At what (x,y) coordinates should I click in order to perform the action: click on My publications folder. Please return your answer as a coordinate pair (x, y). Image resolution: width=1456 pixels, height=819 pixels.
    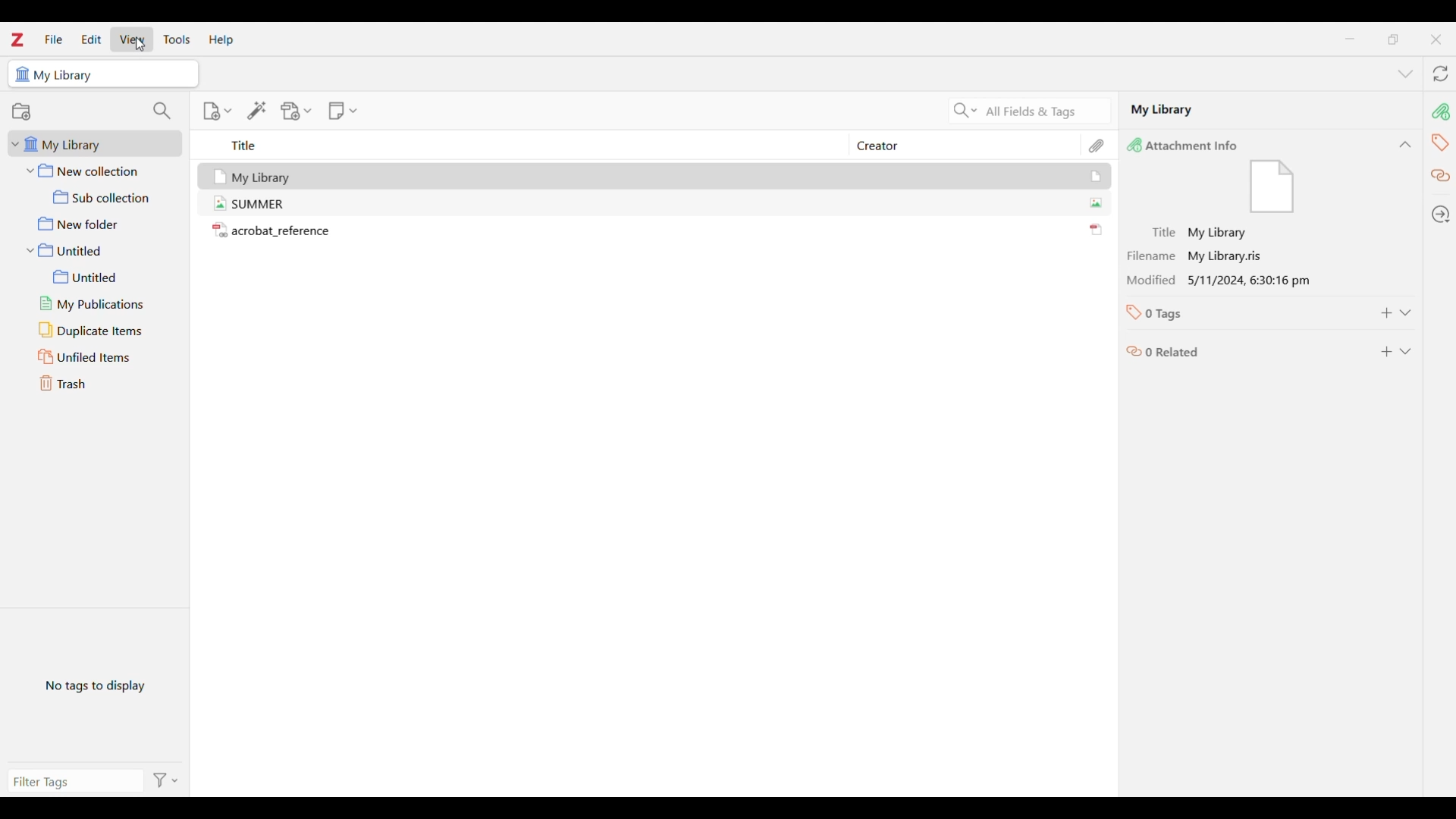
    Looking at the image, I should click on (102, 304).